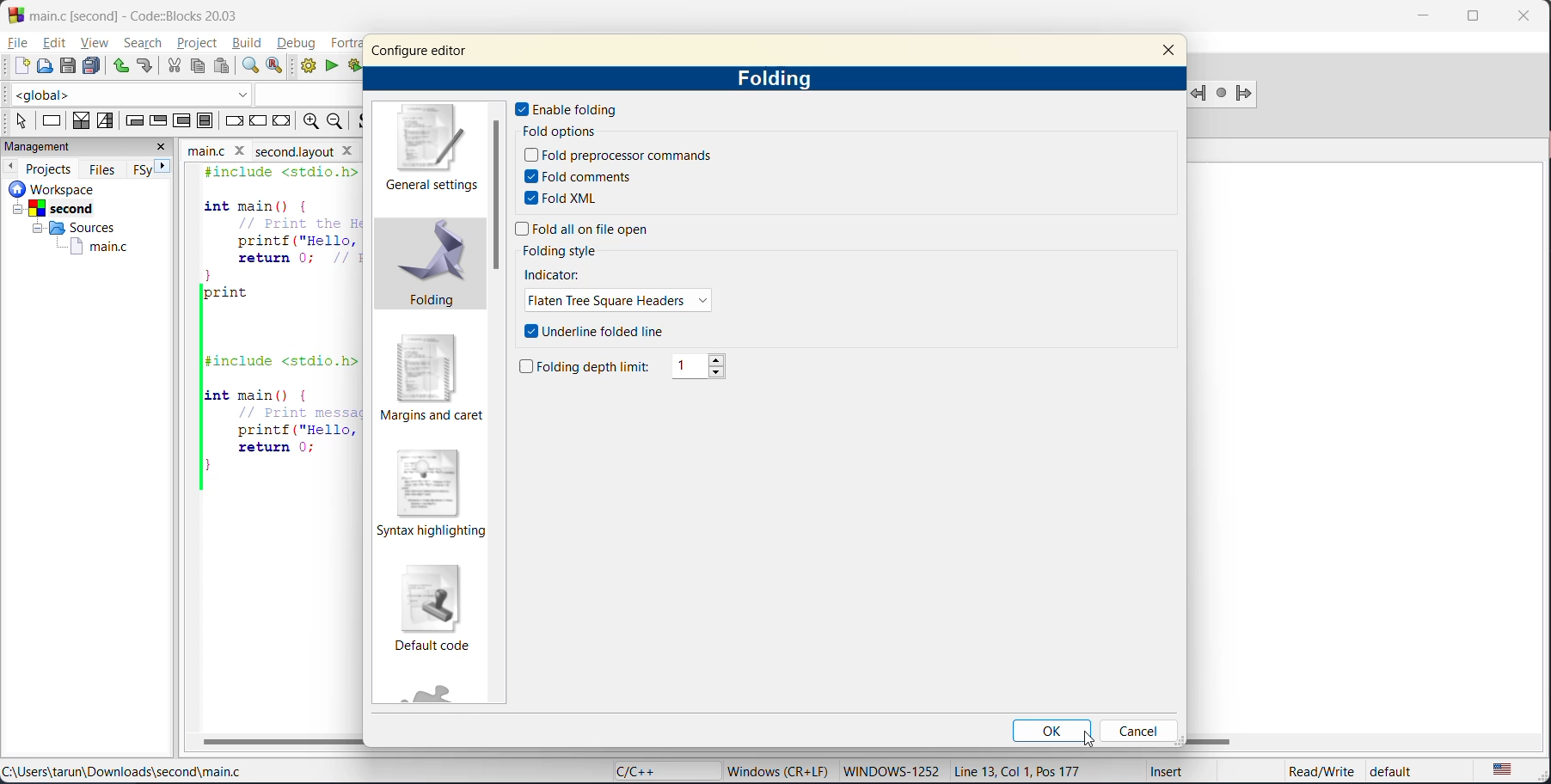 The image size is (1551, 784). I want to click on configure editor, so click(433, 46).